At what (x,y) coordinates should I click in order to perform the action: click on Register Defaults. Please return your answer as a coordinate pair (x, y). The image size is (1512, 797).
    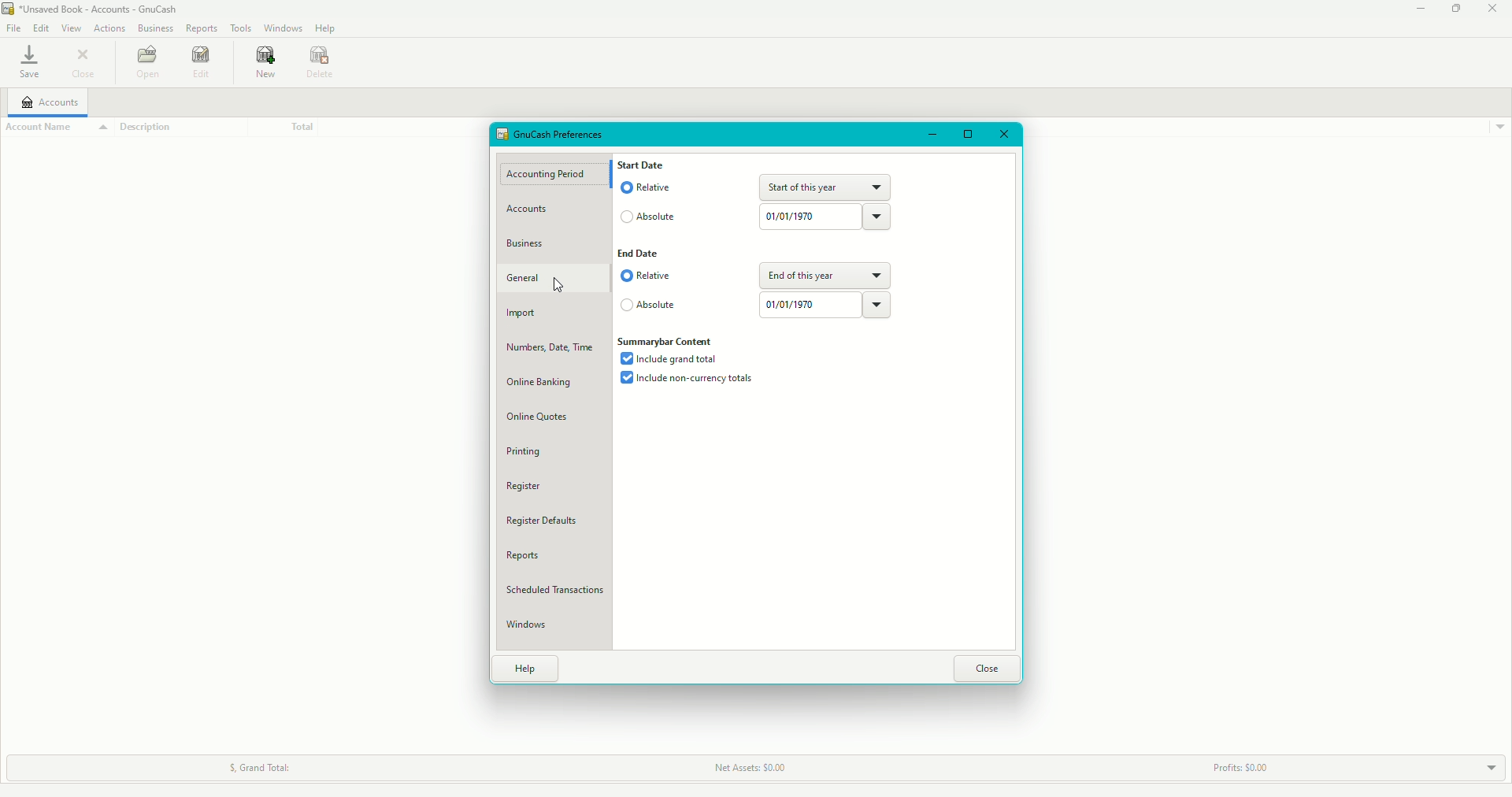
    Looking at the image, I should click on (542, 521).